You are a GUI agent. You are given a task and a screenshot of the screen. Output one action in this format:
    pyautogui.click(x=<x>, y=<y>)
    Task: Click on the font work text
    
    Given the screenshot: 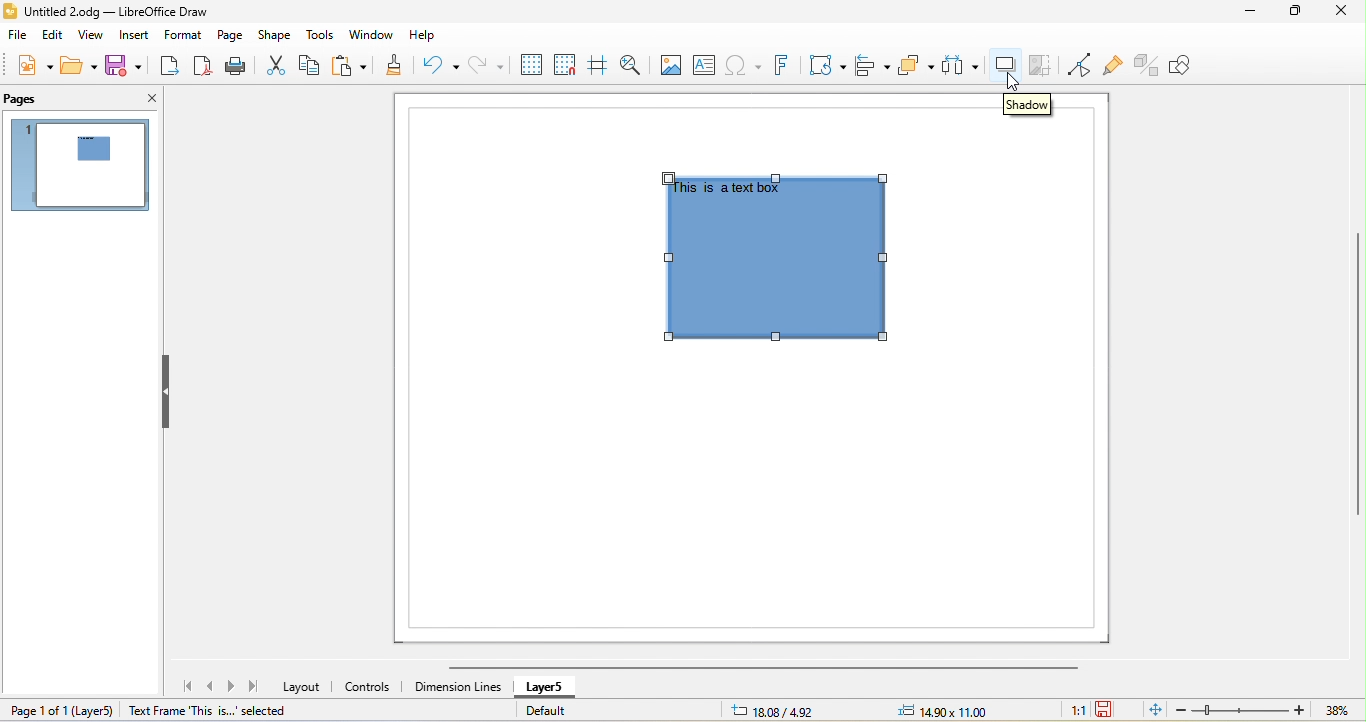 What is the action you would take?
    pyautogui.click(x=785, y=66)
    